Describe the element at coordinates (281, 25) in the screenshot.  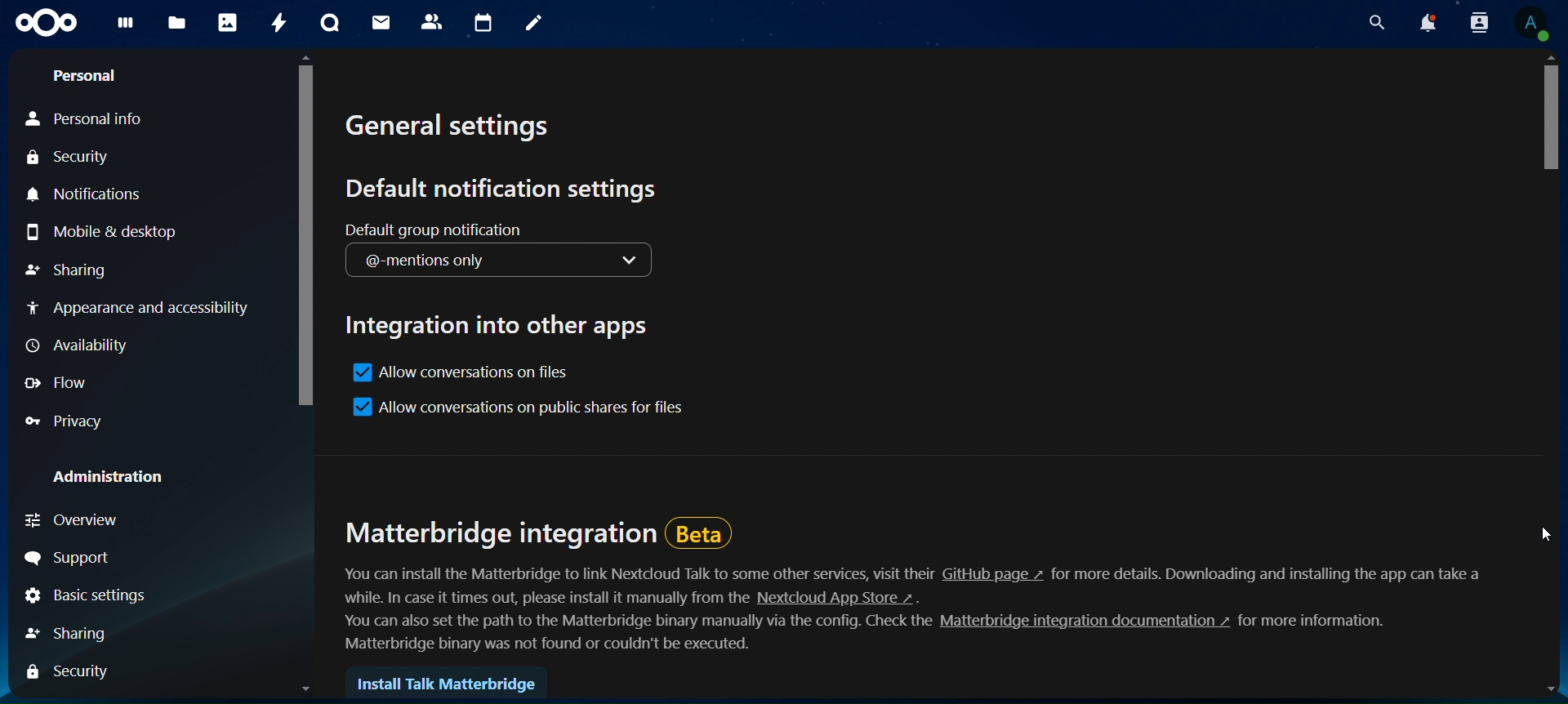
I see `activity` at that location.